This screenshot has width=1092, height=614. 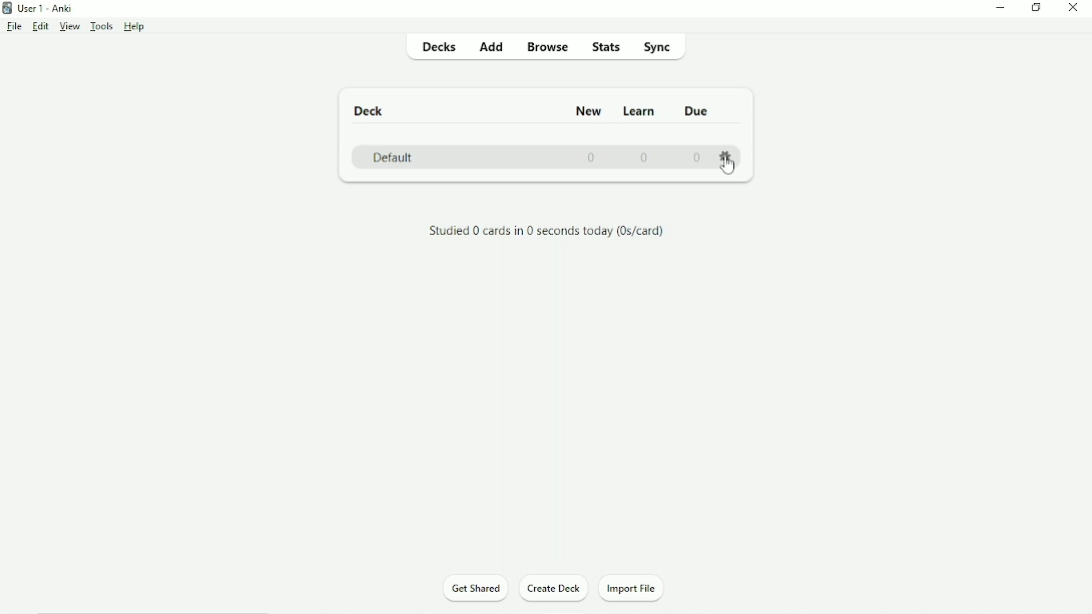 I want to click on Create Deck, so click(x=555, y=591).